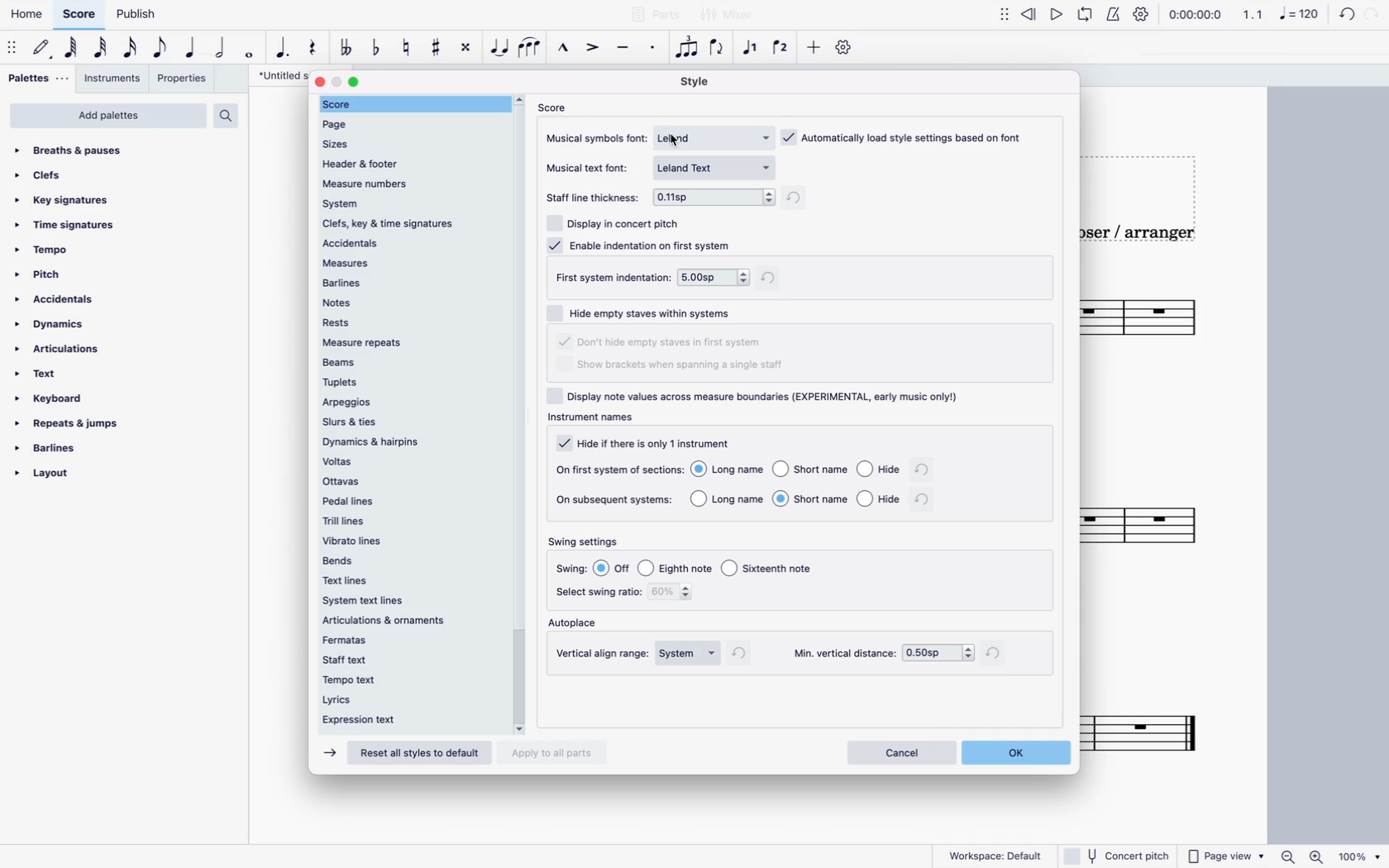 Image resolution: width=1389 pixels, height=868 pixels. What do you see at coordinates (321, 81) in the screenshot?
I see `close` at bounding box center [321, 81].